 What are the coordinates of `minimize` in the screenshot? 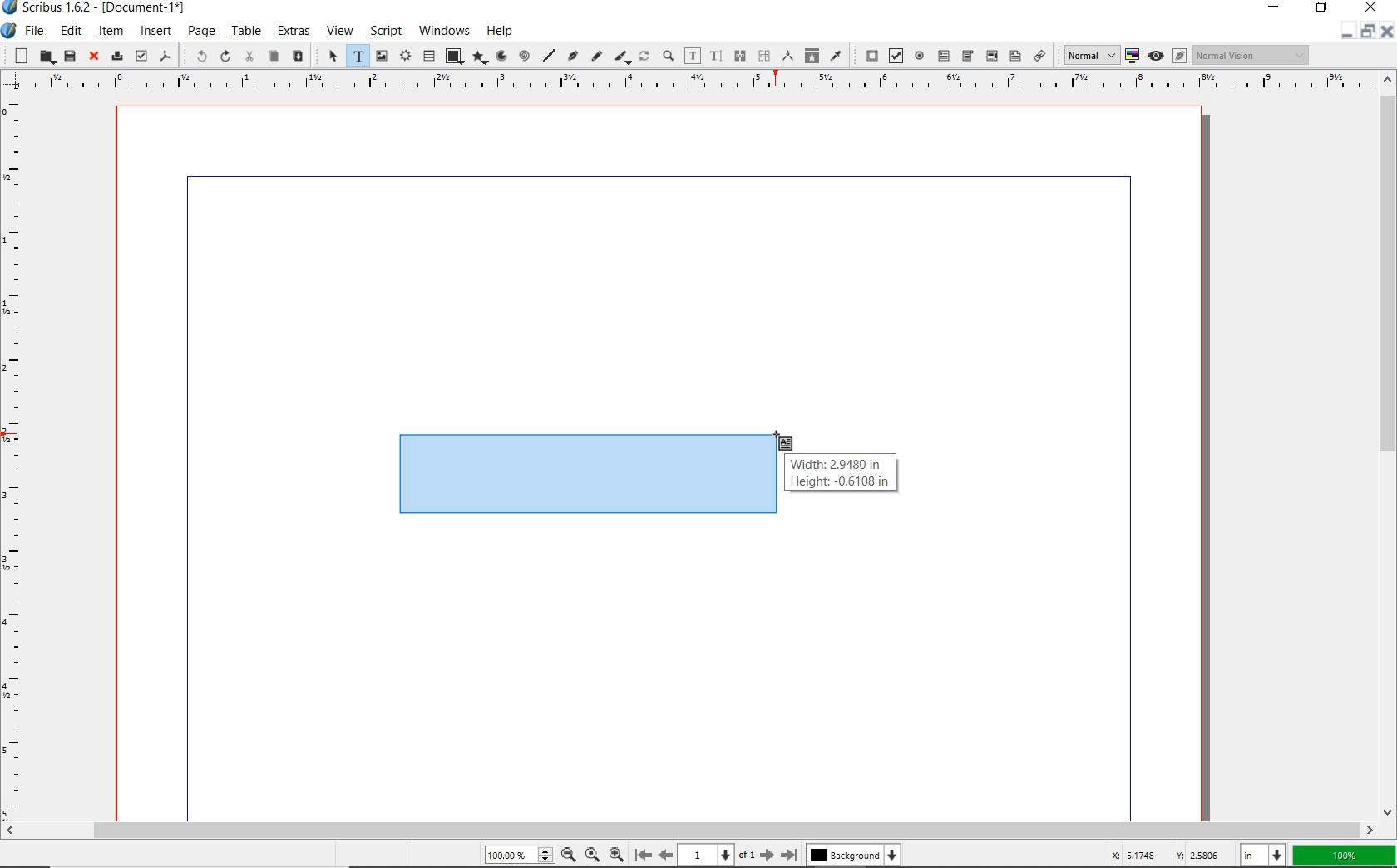 It's located at (1277, 8).